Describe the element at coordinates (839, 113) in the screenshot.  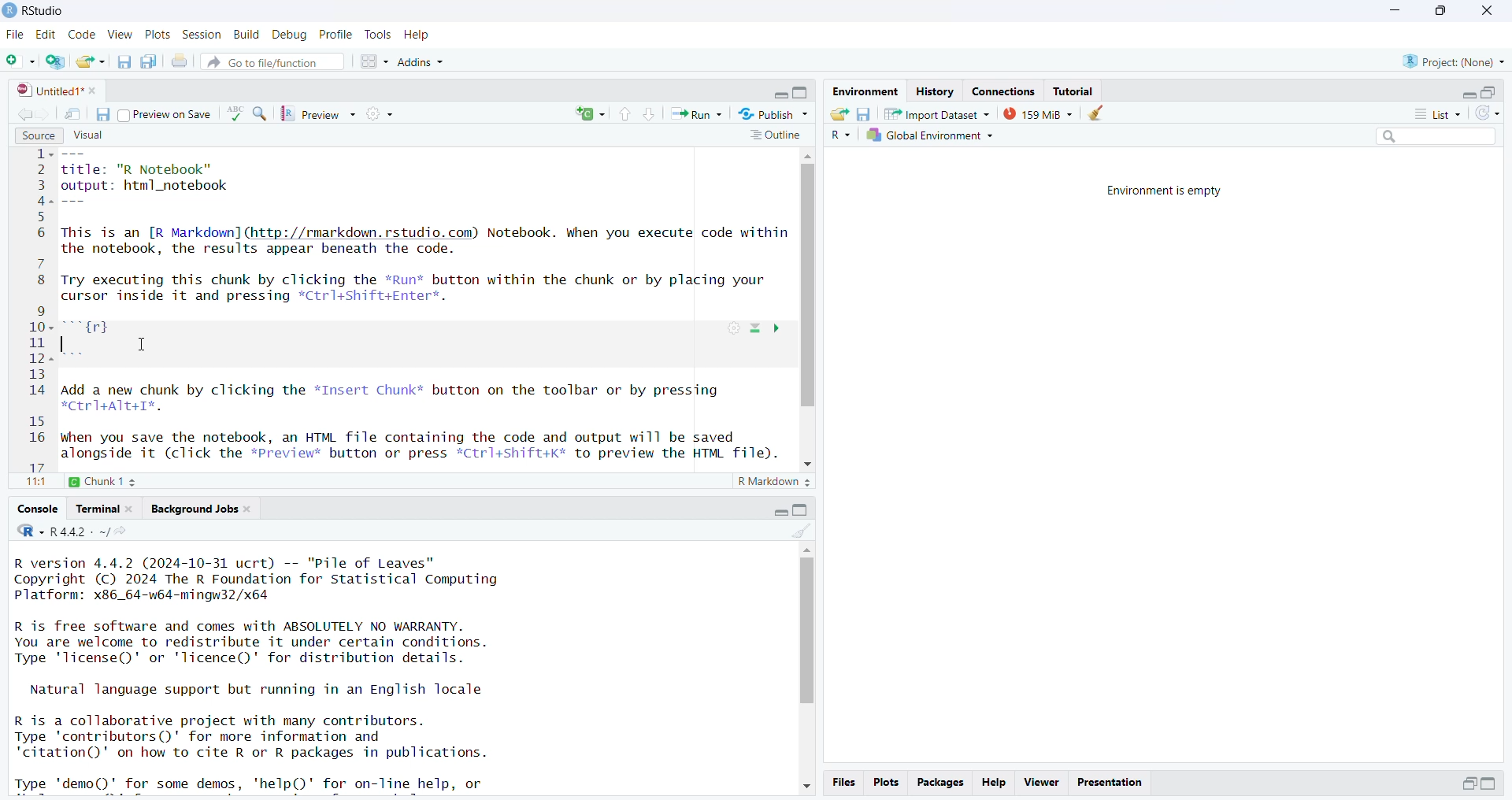
I see `load workspace` at that location.